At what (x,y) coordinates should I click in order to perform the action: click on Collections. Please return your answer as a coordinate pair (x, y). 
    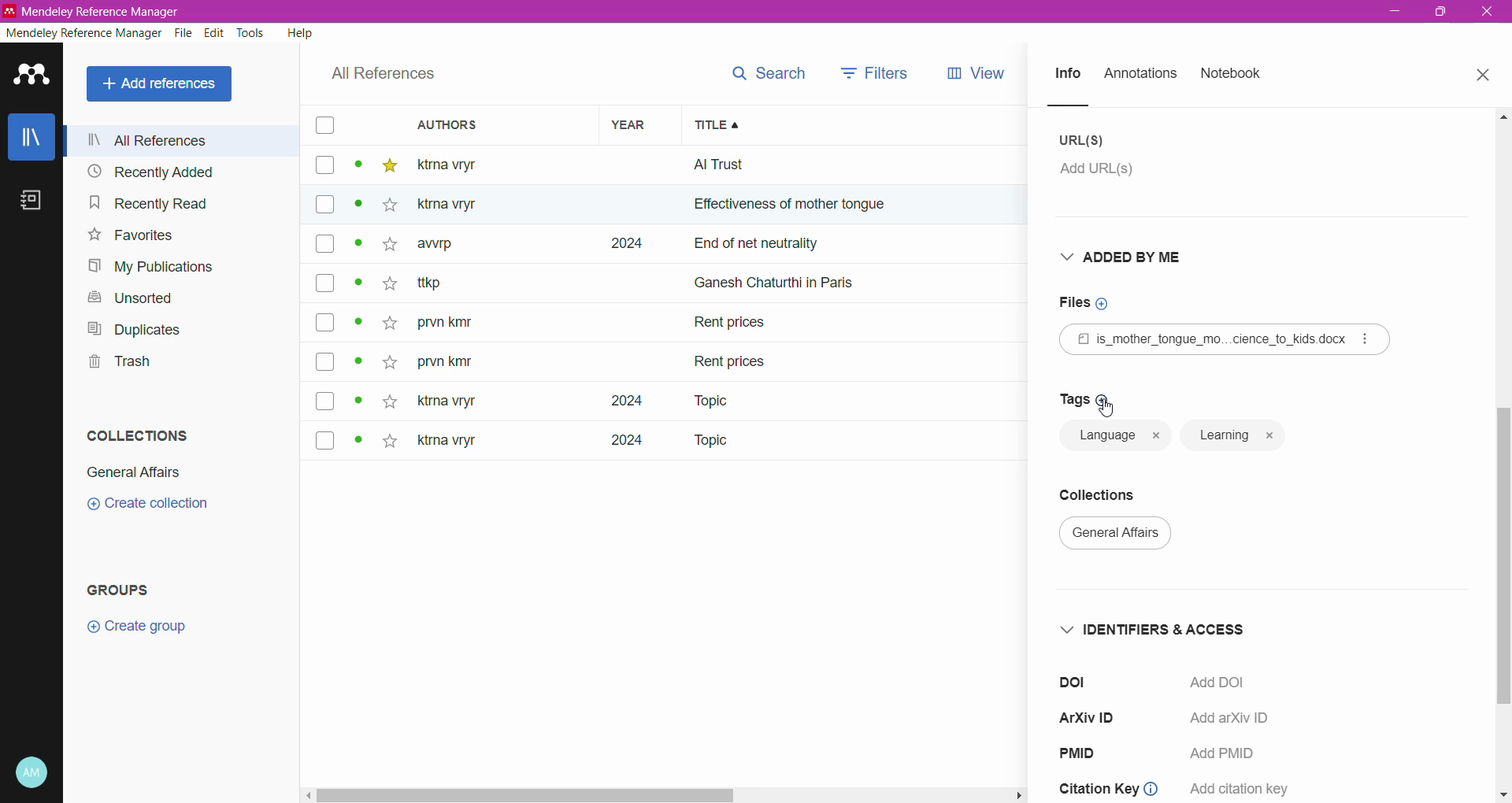
    Looking at the image, I should click on (139, 435).